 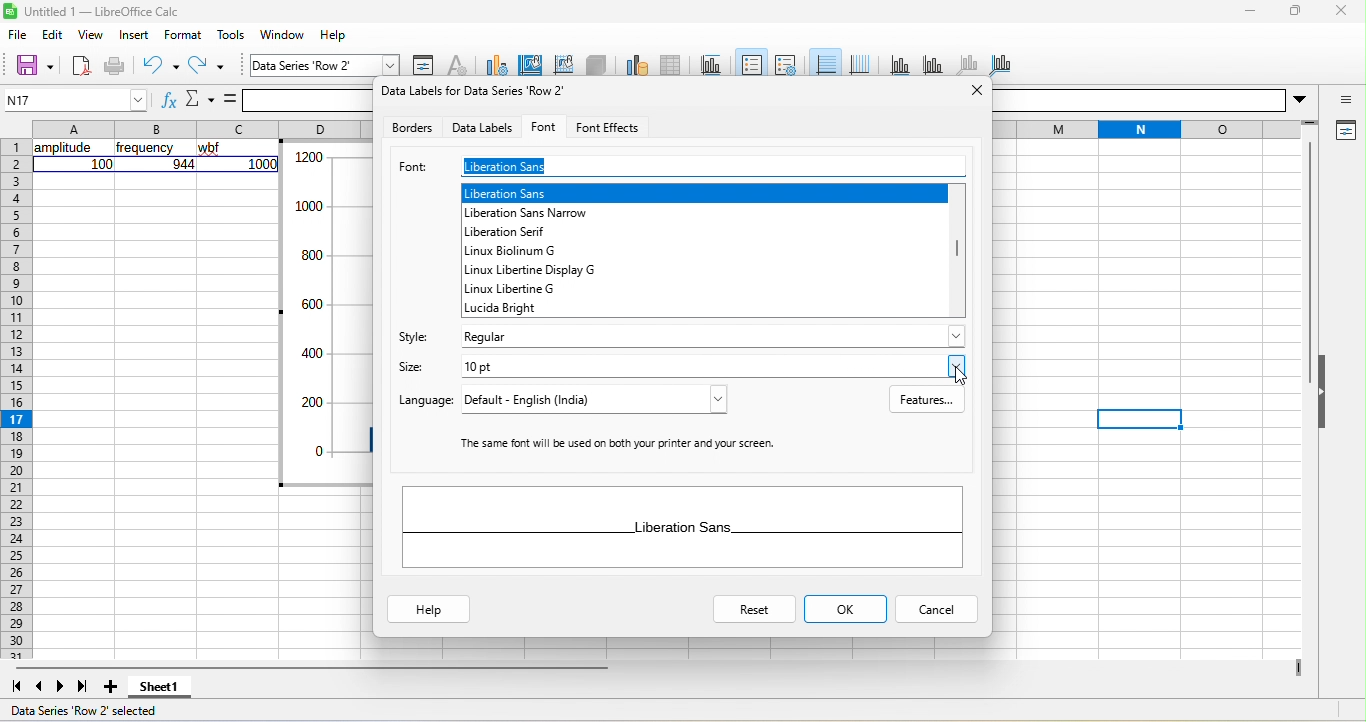 I want to click on ‘The same font will be used on both your printer and your screen., so click(x=626, y=441).